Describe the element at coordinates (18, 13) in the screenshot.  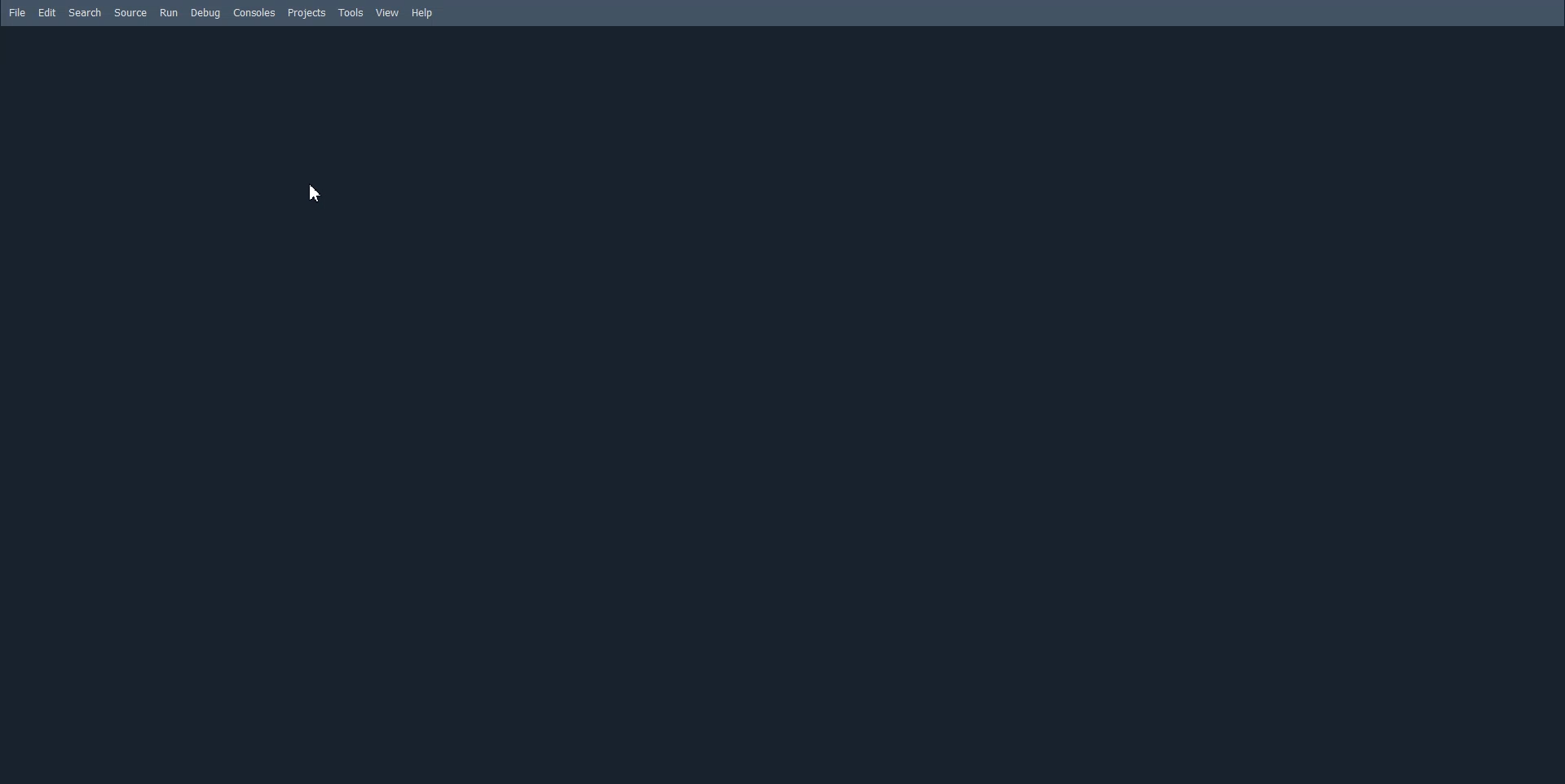
I see `File` at that location.